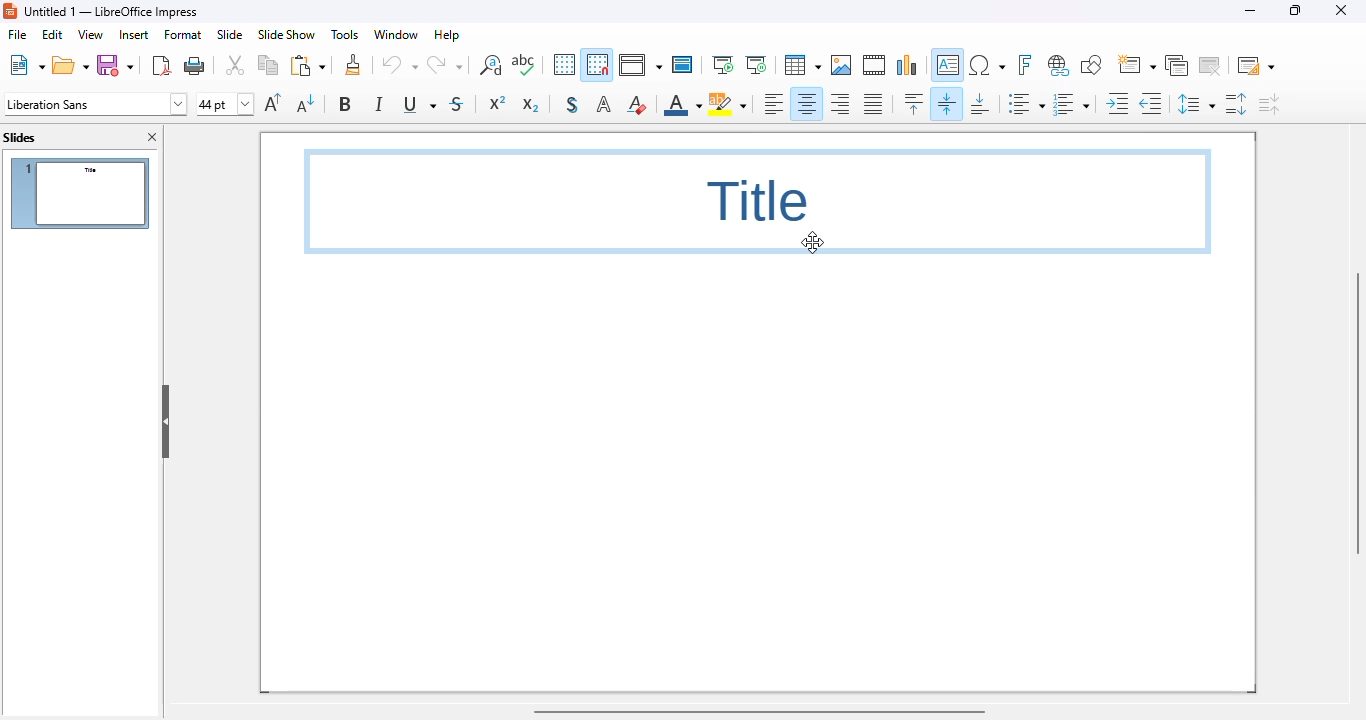 This screenshot has width=1366, height=720. What do you see at coordinates (274, 102) in the screenshot?
I see `increase font size` at bounding box center [274, 102].